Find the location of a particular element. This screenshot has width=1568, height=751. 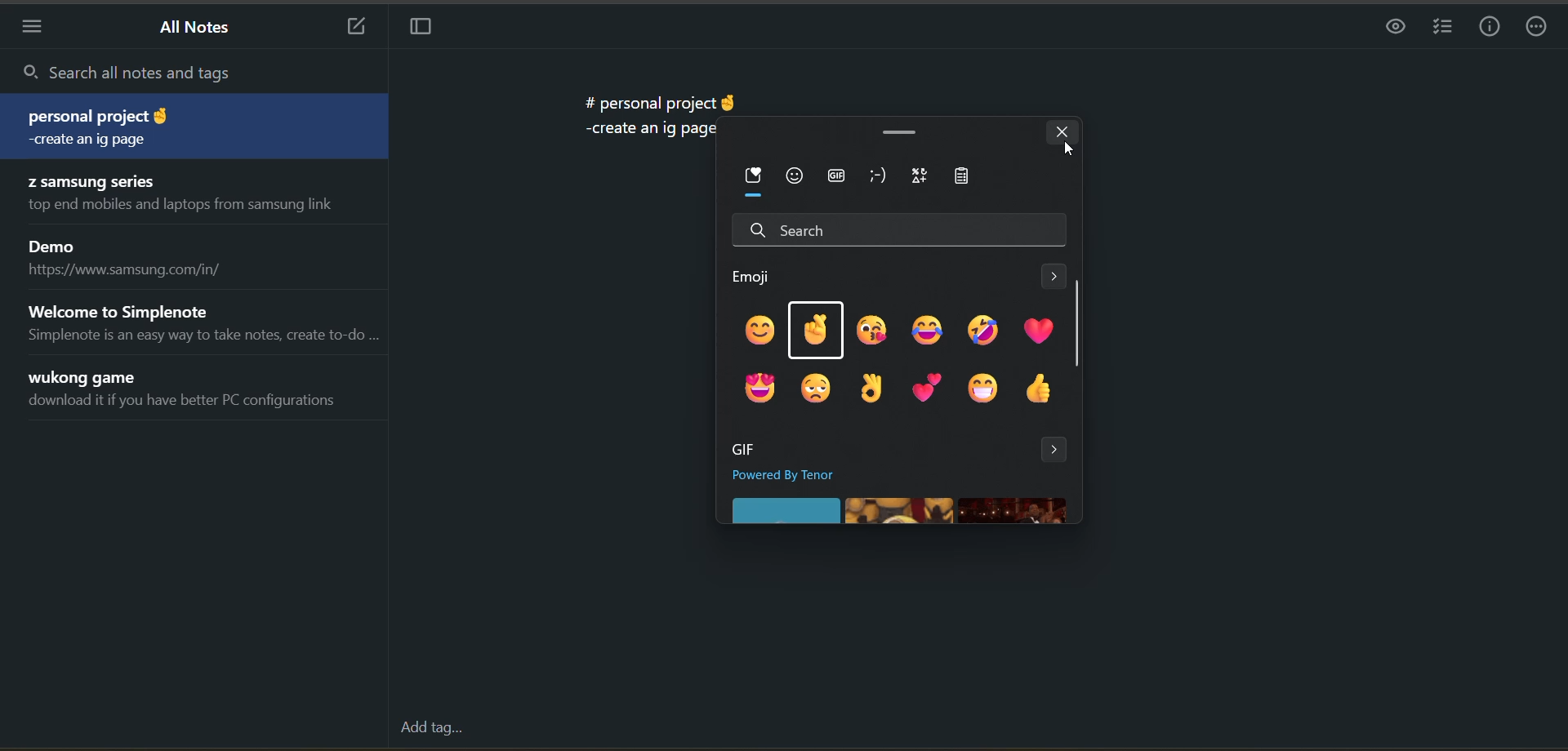

emoji is located at coordinates (794, 176).